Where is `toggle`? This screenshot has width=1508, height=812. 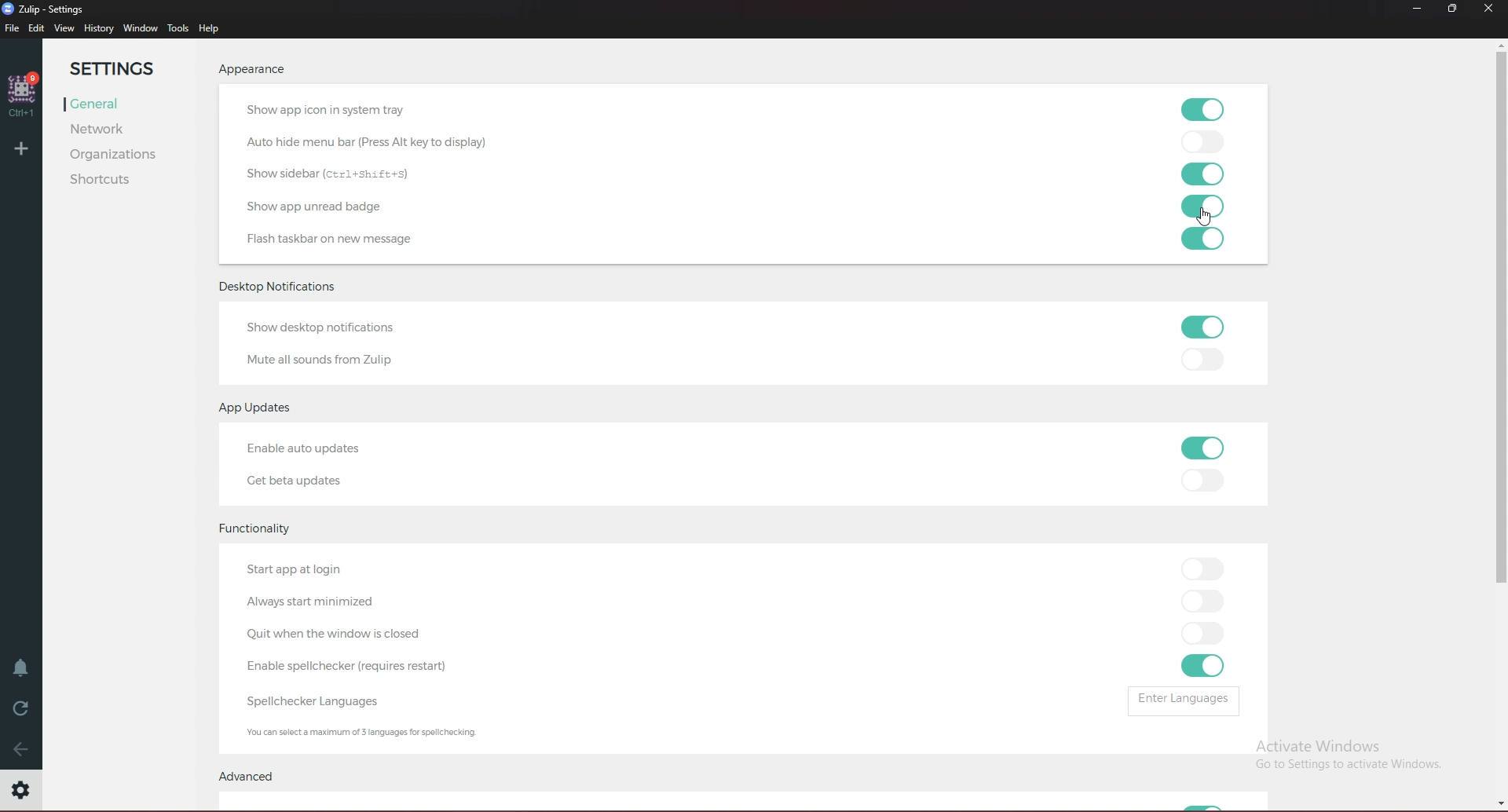 toggle is located at coordinates (1200, 668).